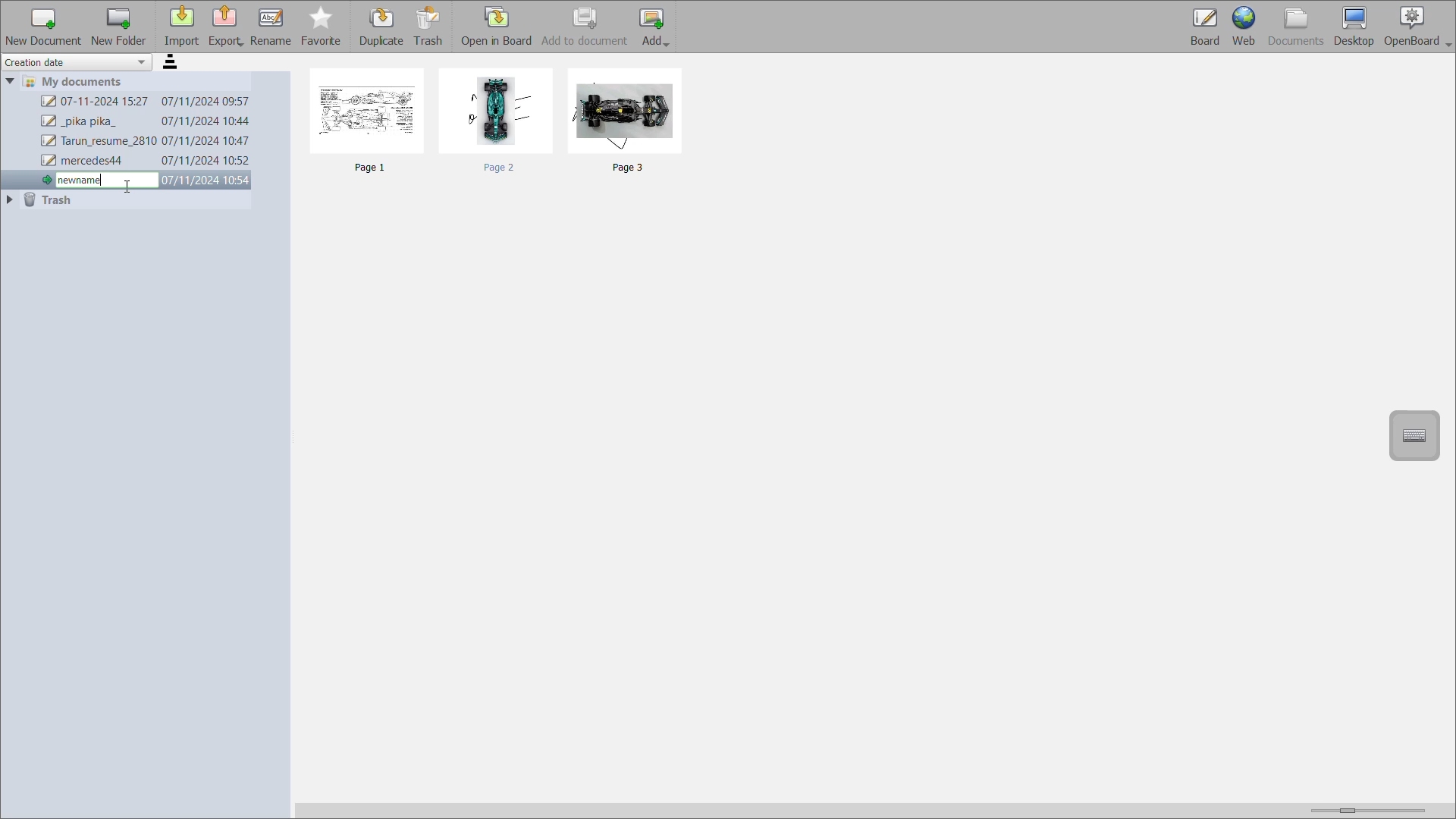  I want to click on page3, so click(628, 123).